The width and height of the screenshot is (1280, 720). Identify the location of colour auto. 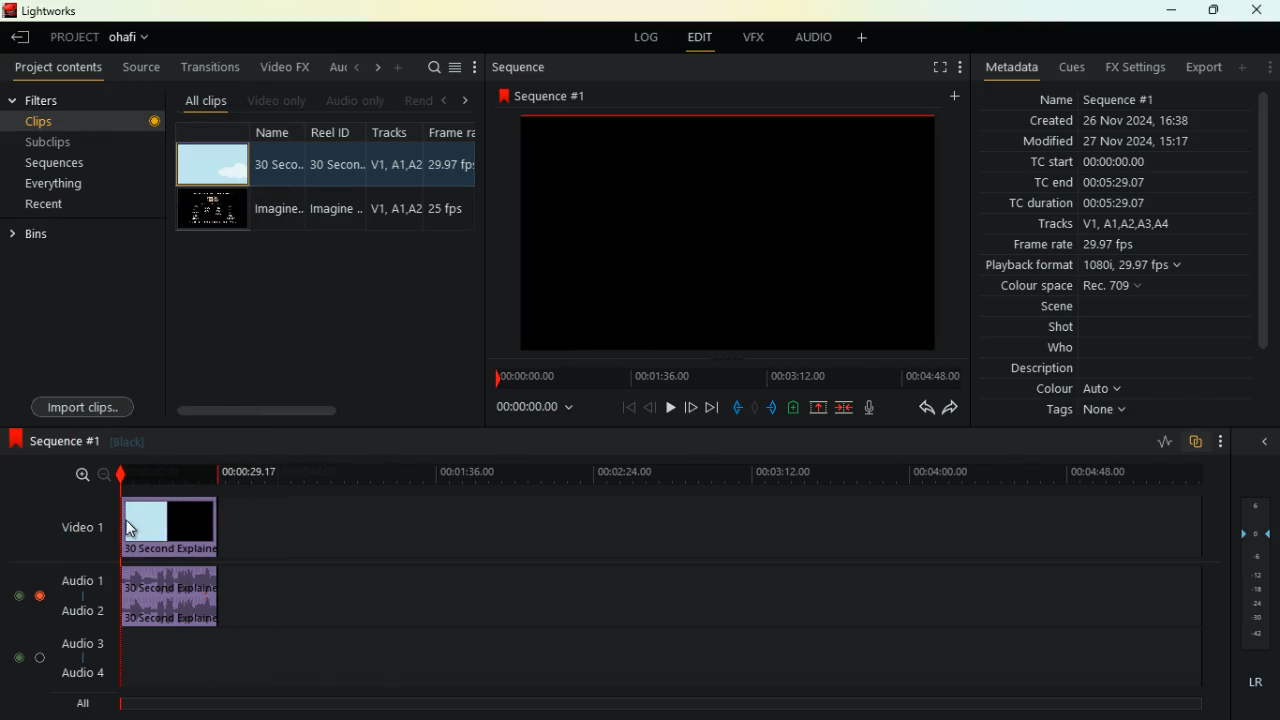
(1082, 389).